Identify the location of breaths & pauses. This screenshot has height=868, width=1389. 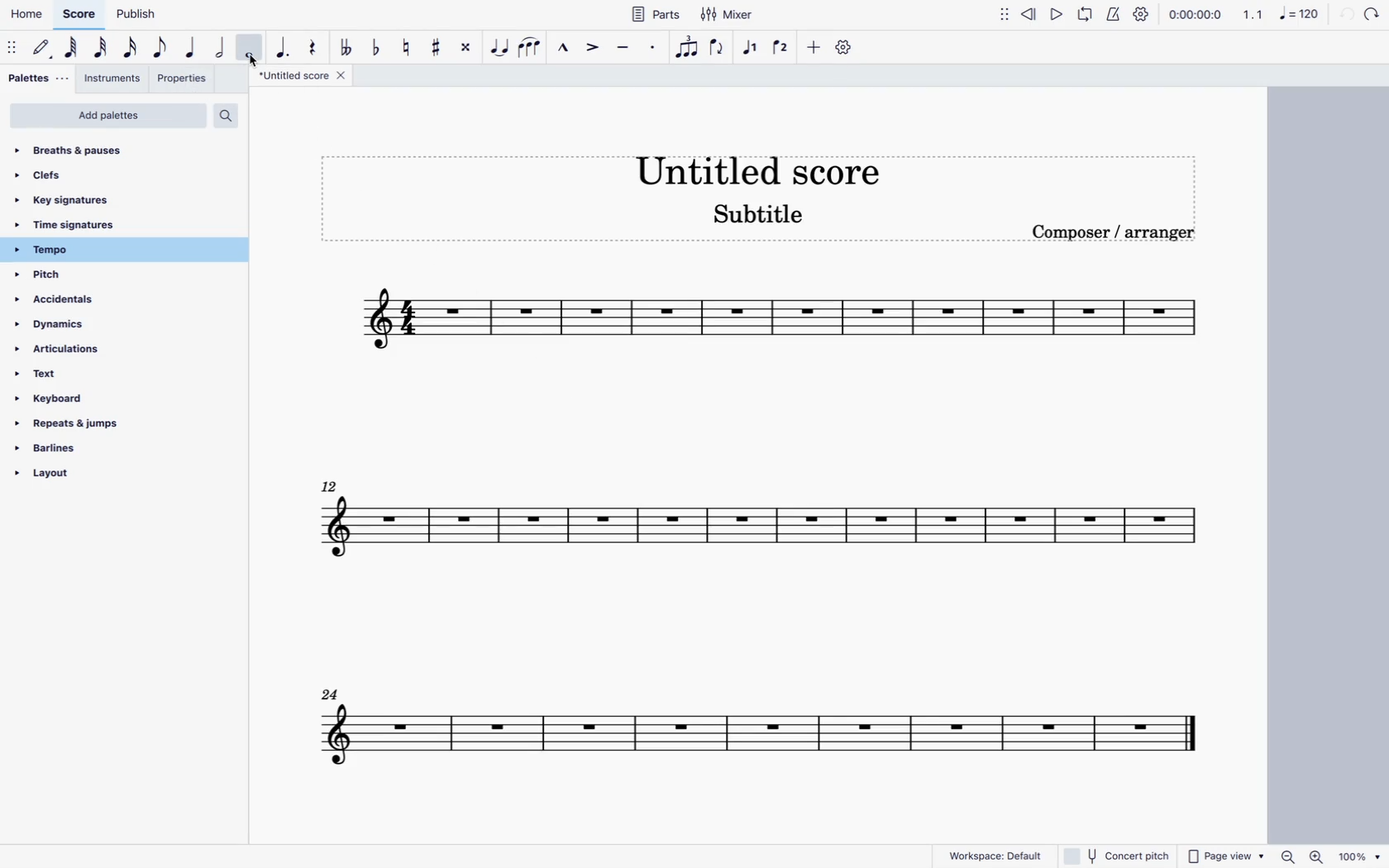
(100, 150).